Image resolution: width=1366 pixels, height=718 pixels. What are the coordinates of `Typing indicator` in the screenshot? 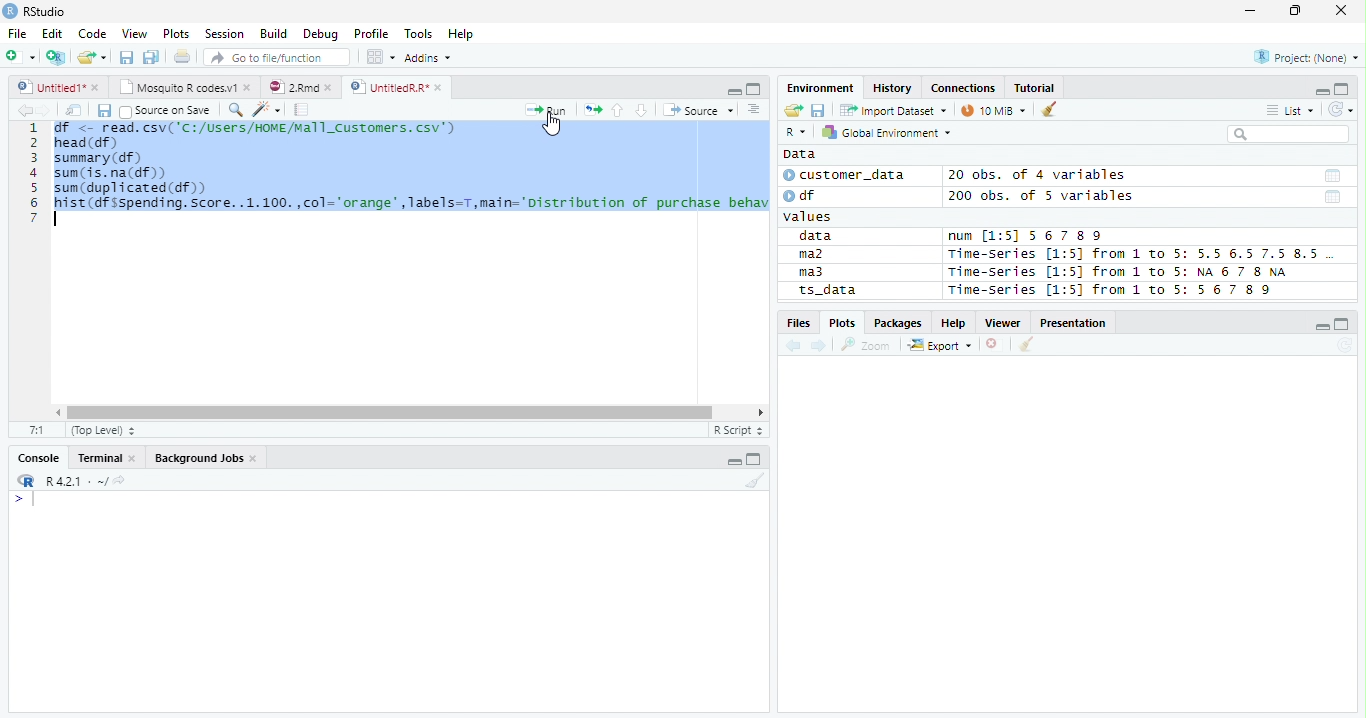 It's located at (33, 500).